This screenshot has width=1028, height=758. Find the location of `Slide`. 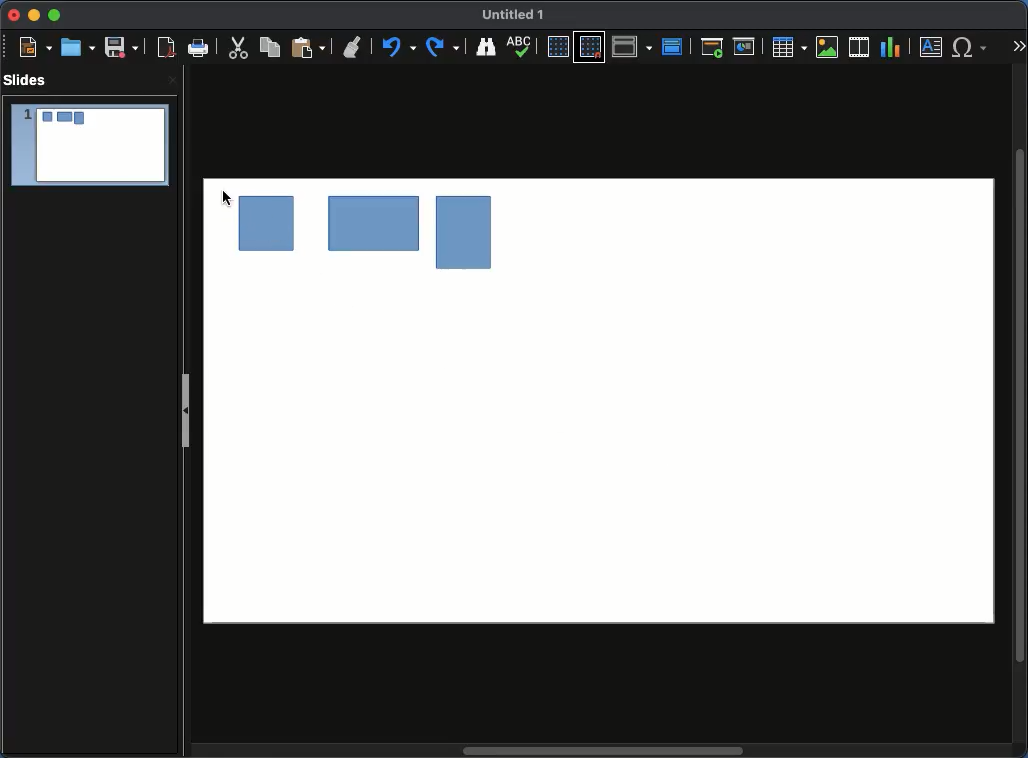

Slide is located at coordinates (89, 146).